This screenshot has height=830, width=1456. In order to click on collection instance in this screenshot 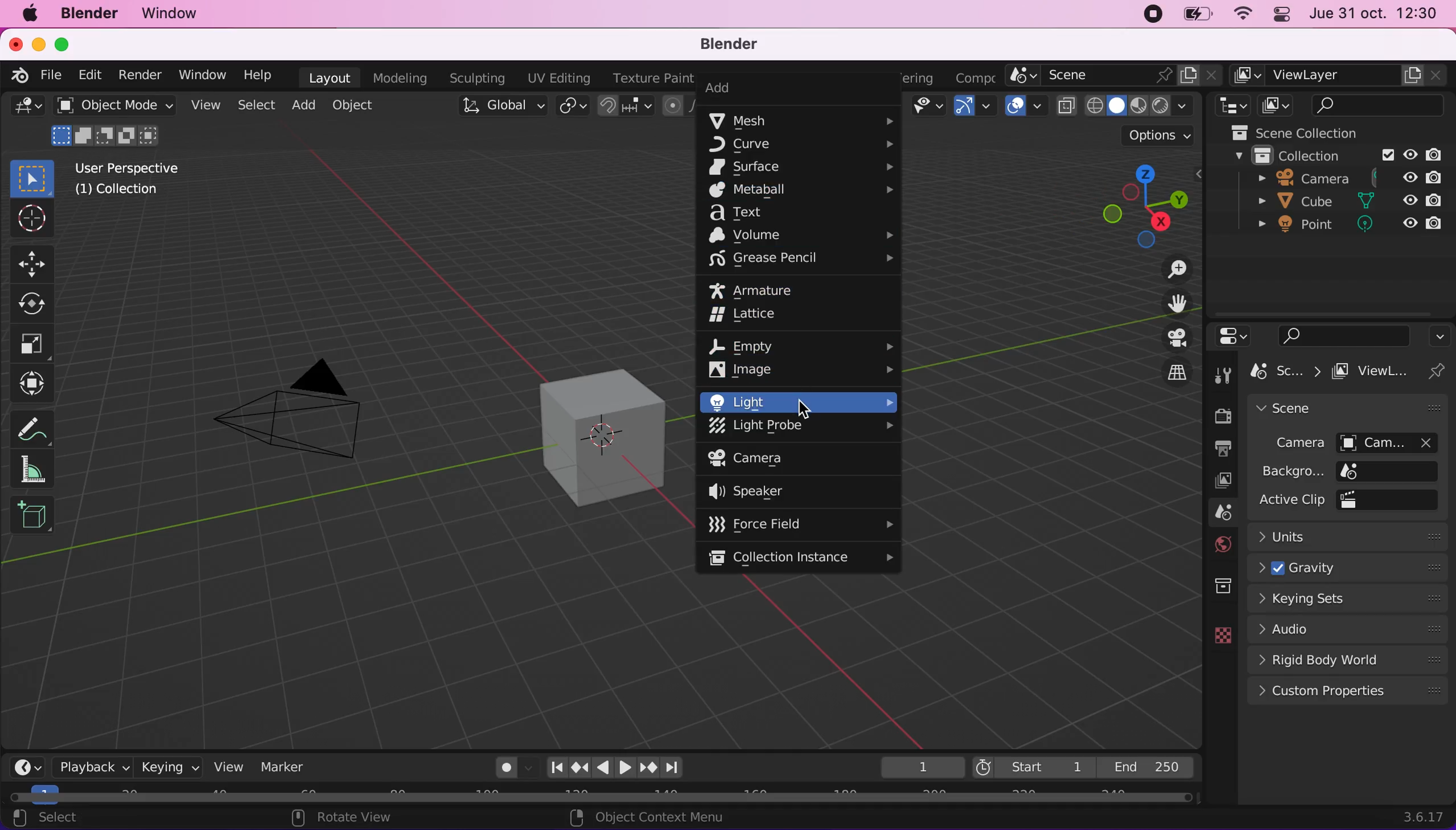, I will do `click(800, 556)`.